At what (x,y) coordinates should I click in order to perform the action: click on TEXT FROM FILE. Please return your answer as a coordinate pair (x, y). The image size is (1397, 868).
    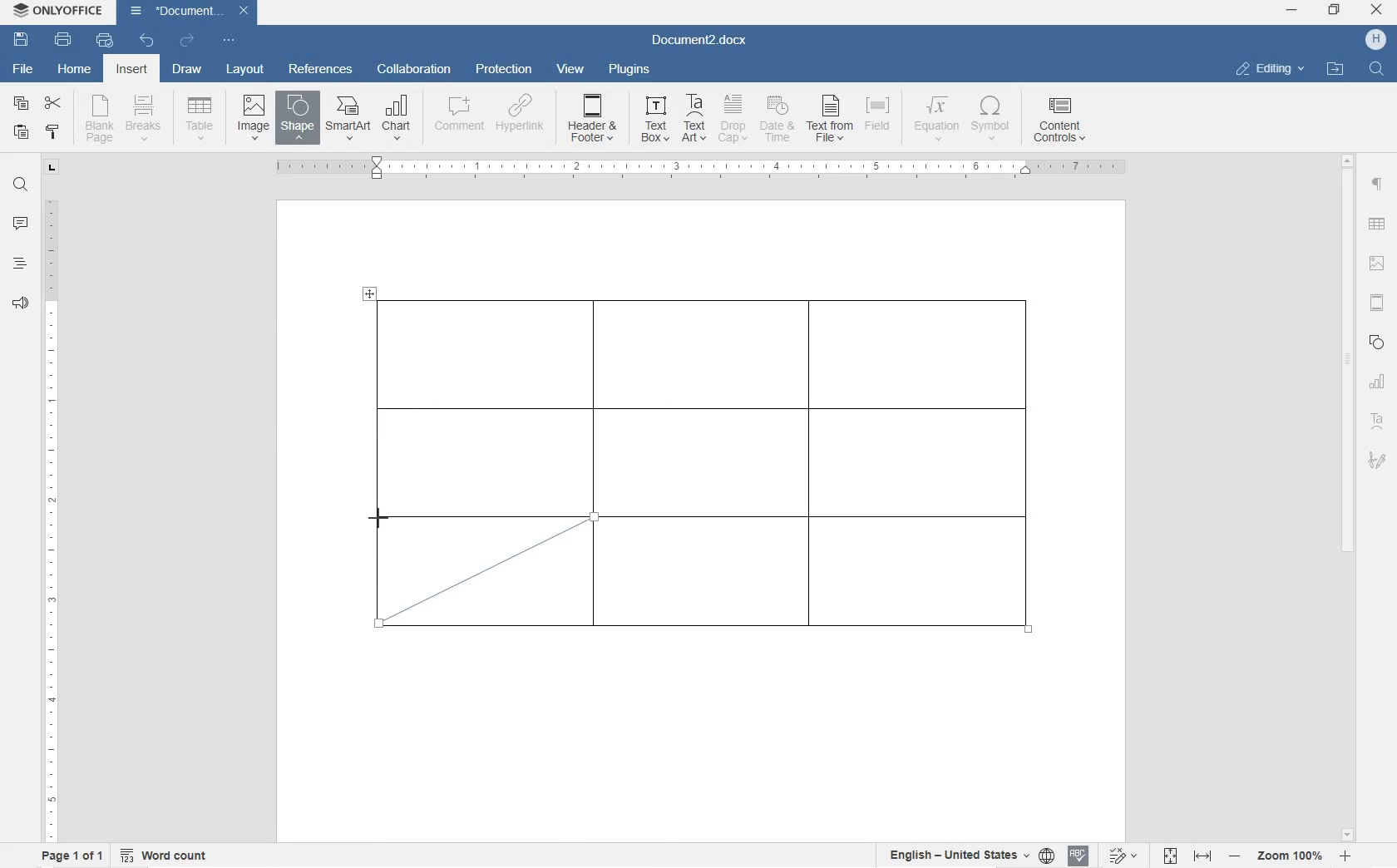
    Looking at the image, I should click on (832, 121).